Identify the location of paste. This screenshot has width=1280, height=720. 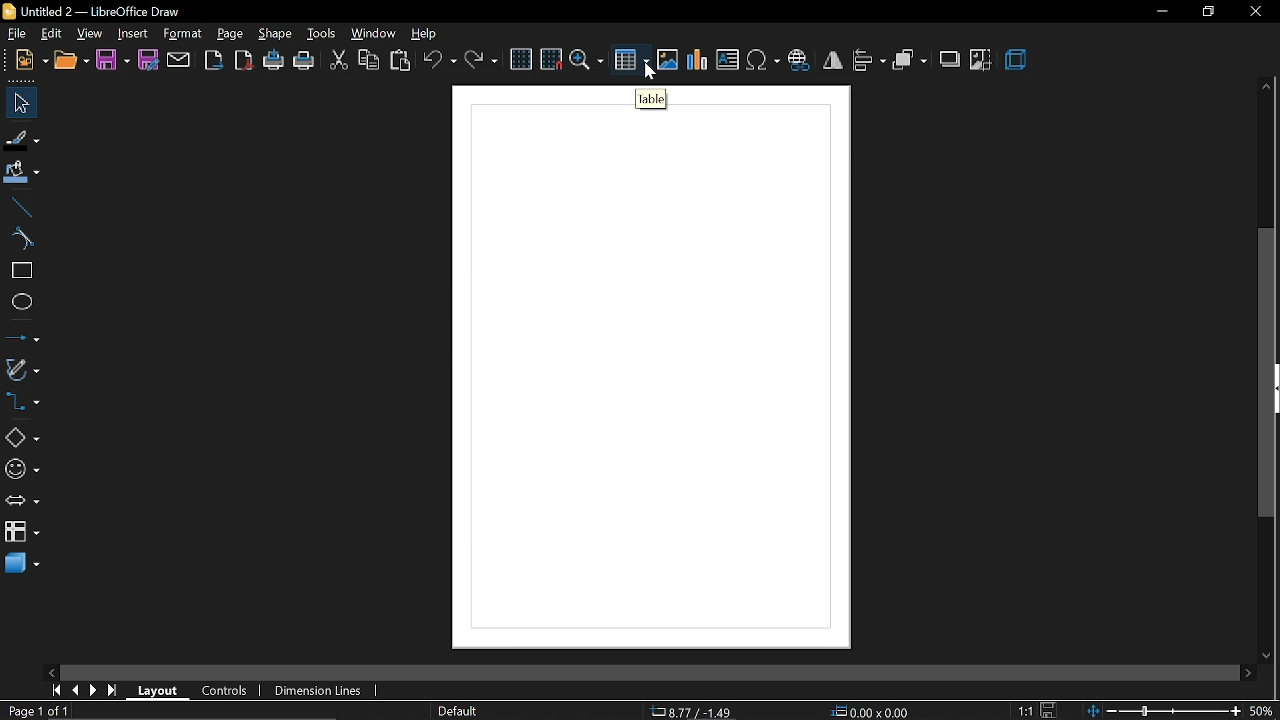
(401, 61).